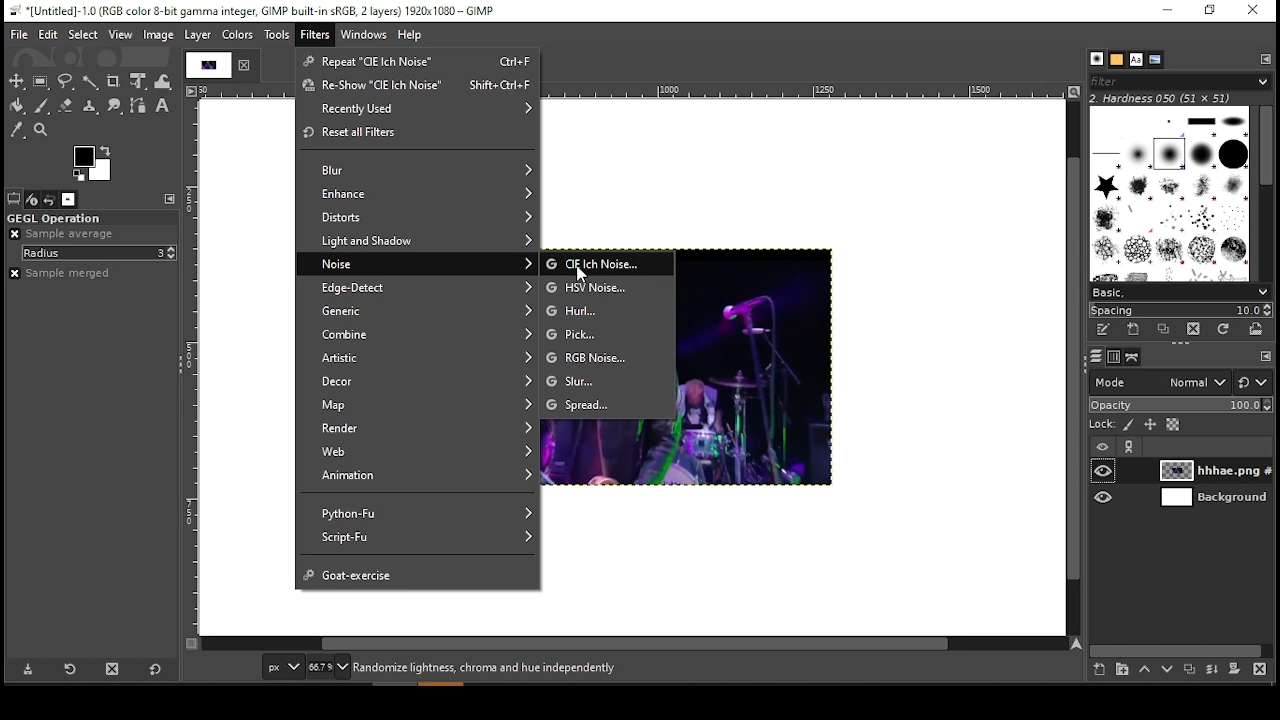 This screenshot has height=720, width=1280. What do you see at coordinates (91, 163) in the screenshot?
I see `color` at bounding box center [91, 163].